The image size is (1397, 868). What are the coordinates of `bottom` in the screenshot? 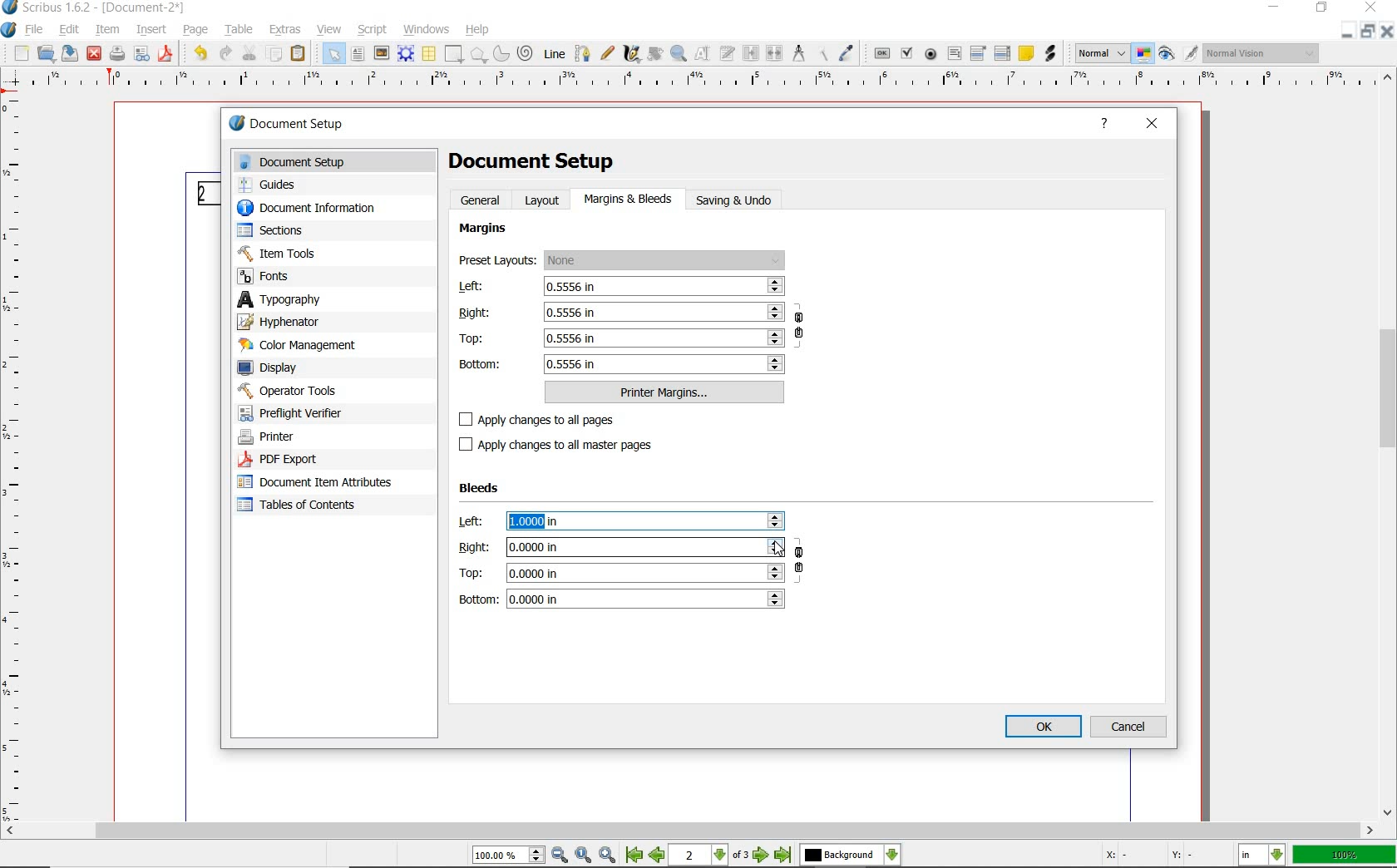 It's located at (621, 599).